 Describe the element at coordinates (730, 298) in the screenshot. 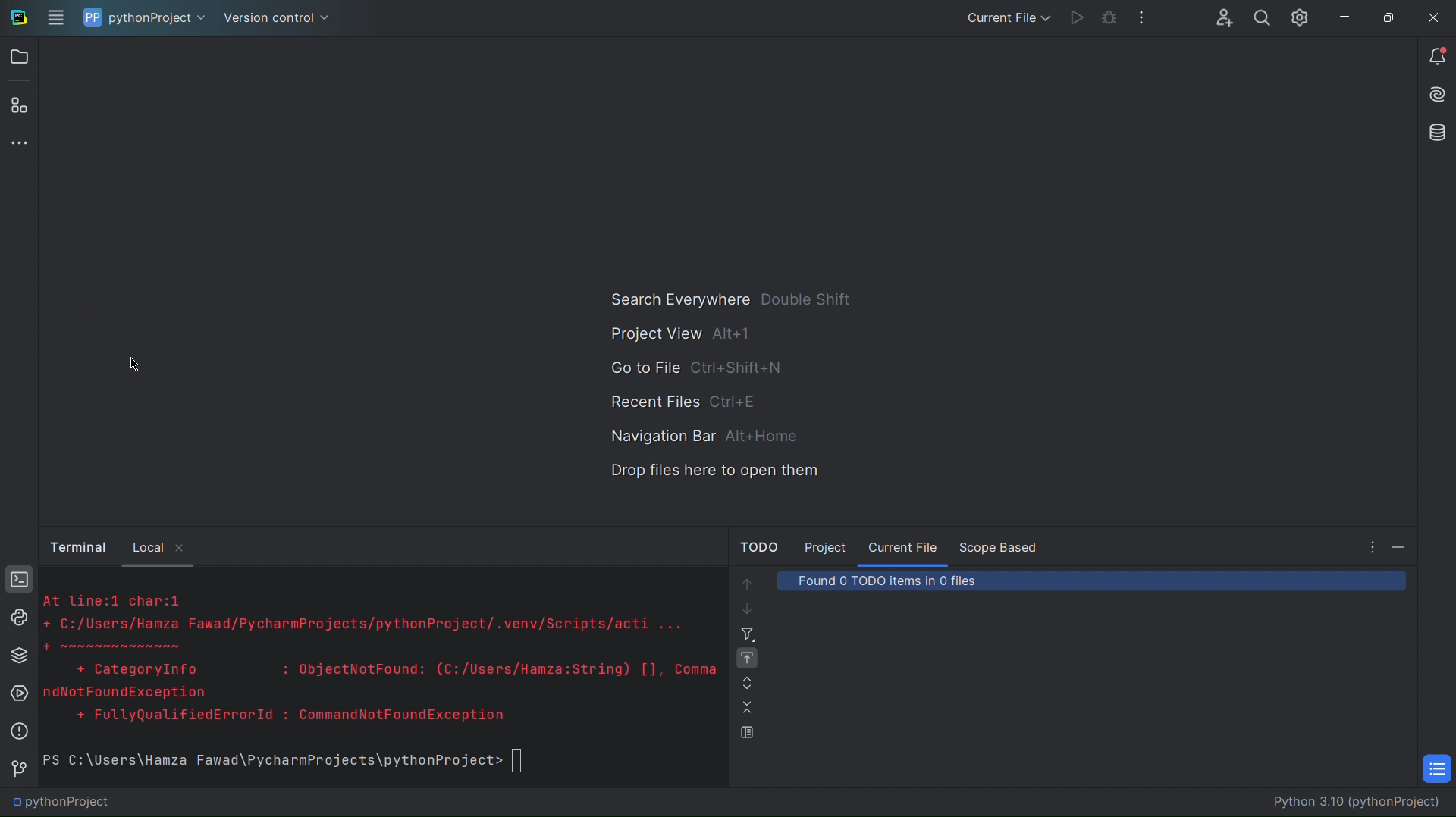

I see `Search Everywhere` at that location.